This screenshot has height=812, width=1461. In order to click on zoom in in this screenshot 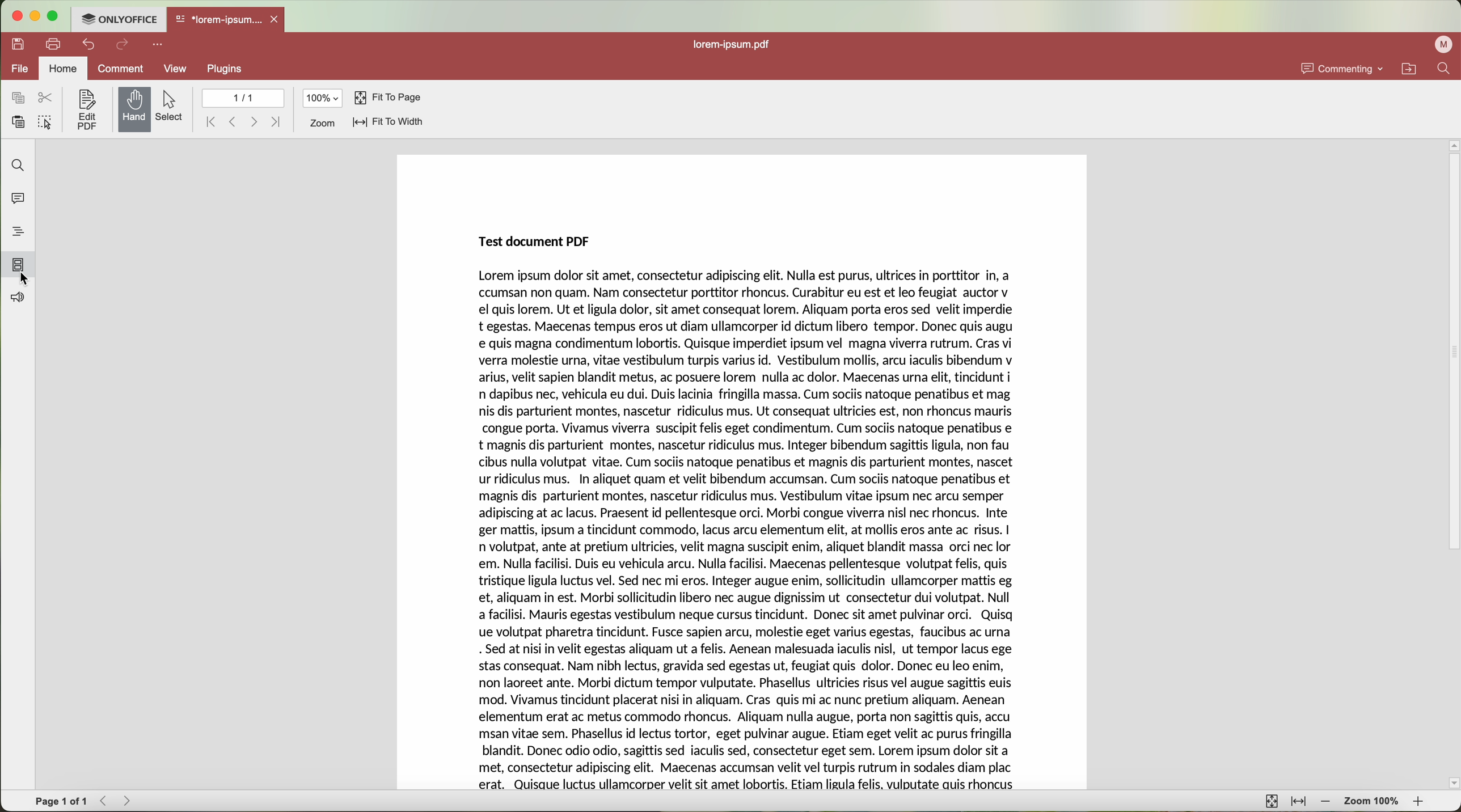, I will do `click(1422, 802)`.